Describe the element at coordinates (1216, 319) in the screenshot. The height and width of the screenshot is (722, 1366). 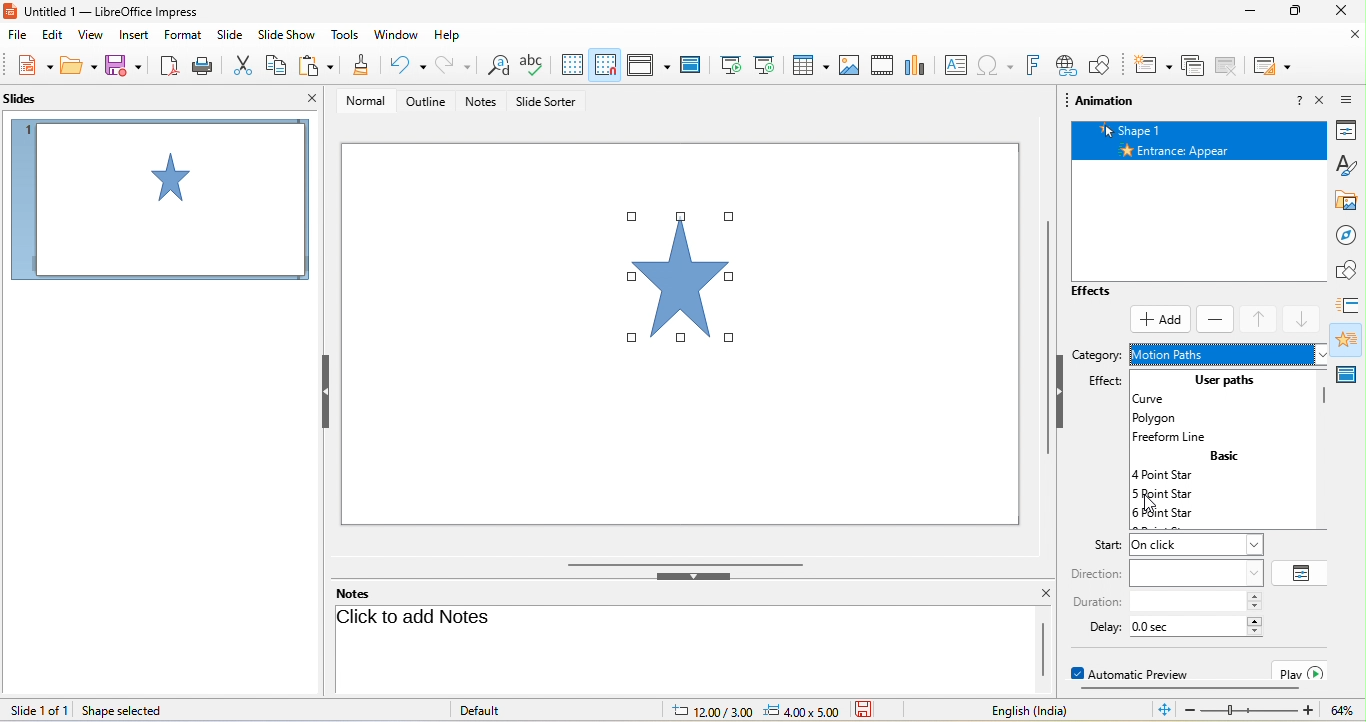
I see `remove effect` at that location.